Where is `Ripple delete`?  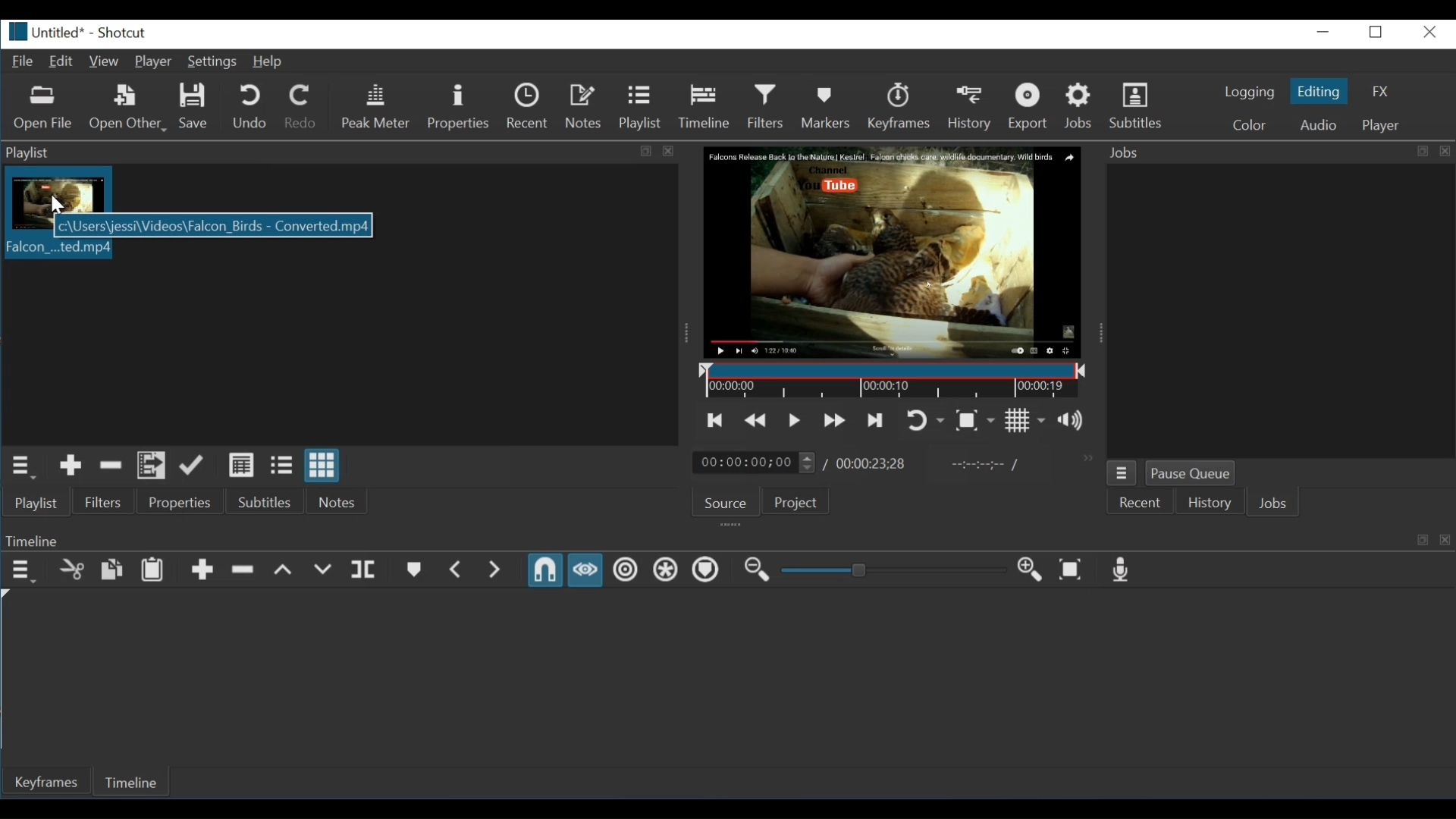
Ripple delete is located at coordinates (243, 570).